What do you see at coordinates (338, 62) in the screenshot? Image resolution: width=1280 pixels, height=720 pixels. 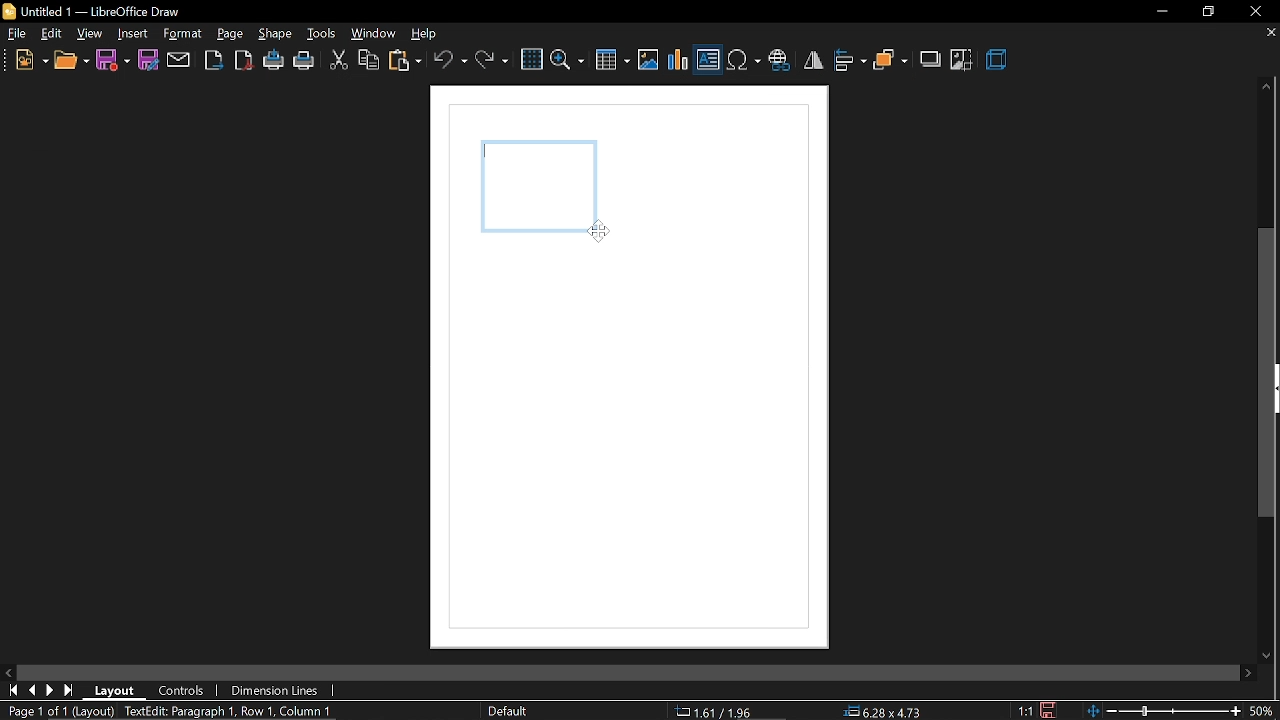 I see `cut` at bounding box center [338, 62].